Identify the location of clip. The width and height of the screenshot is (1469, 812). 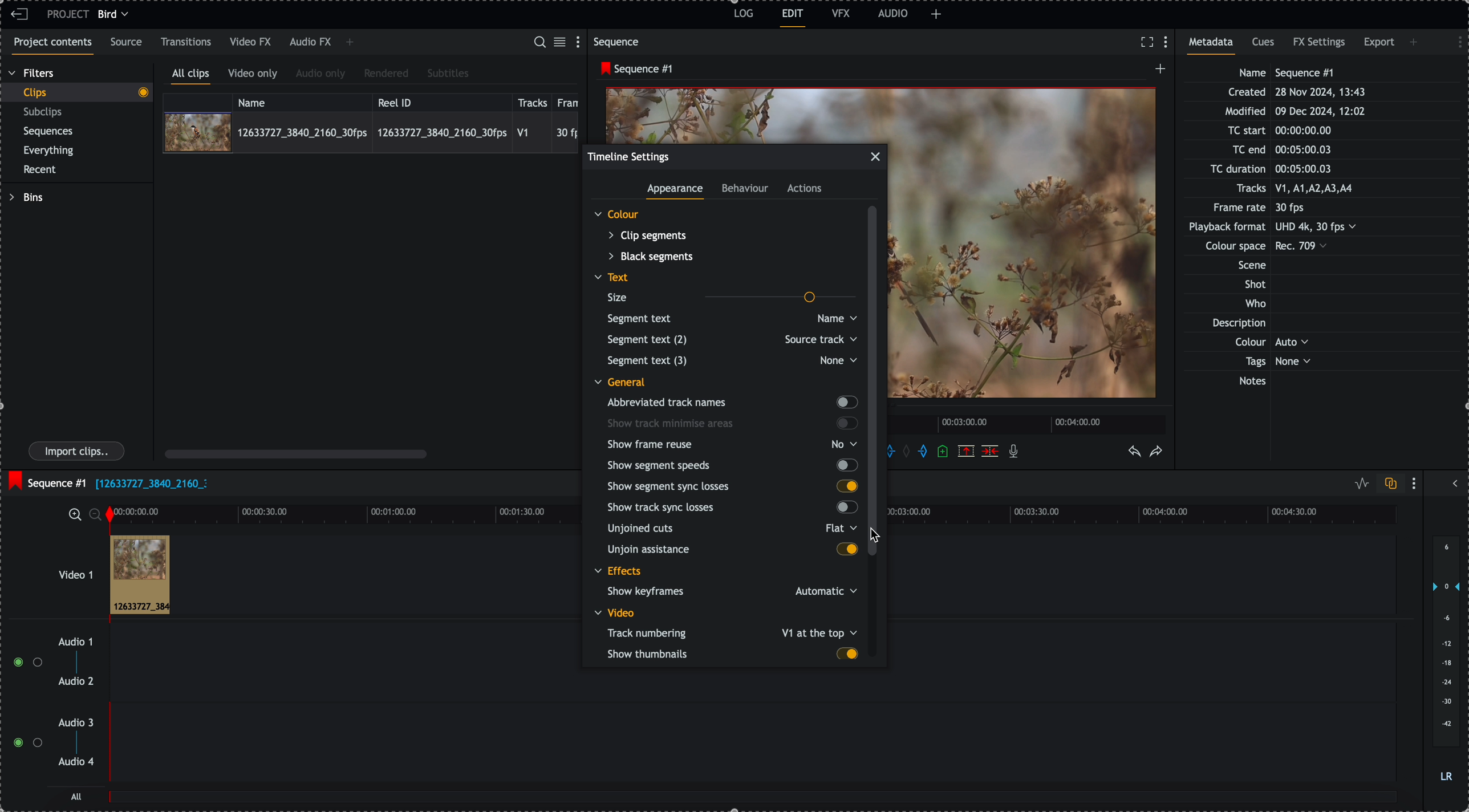
(140, 575).